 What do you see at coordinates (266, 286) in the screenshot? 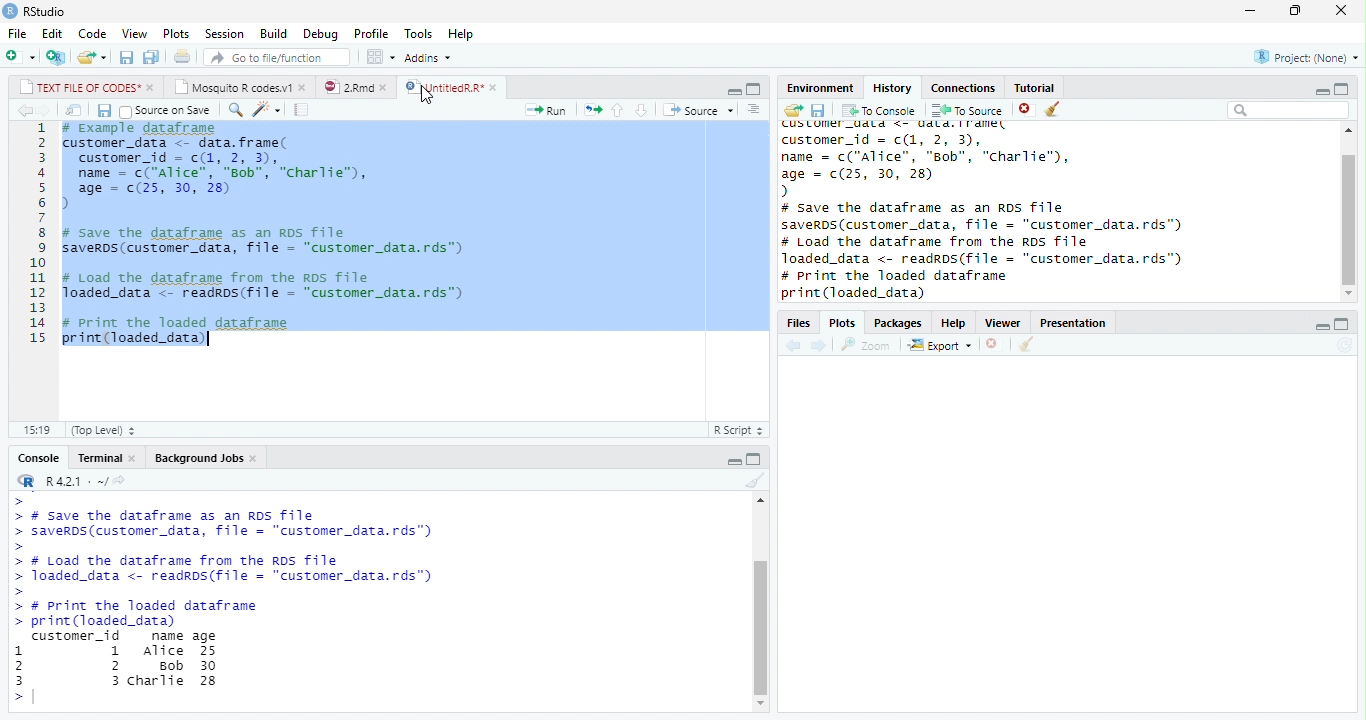
I see `# Load the dataframe from the RDs file
loaded_data <- readros(file = "customer_data.rds")` at bounding box center [266, 286].